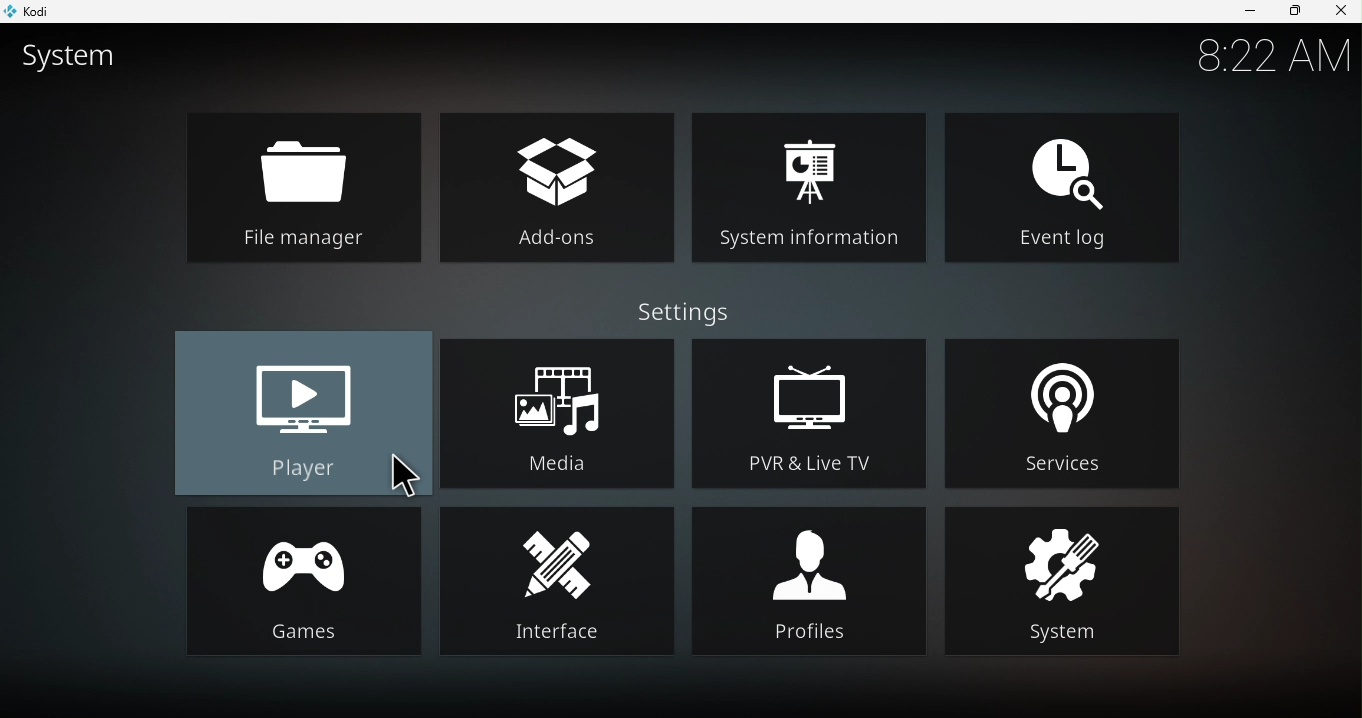 This screenshot has height=718, width=1362. What do you see at coordinates (811, 410) in the screenshot?
I see `PVR and Live TV` at bounding box center [811, 410].